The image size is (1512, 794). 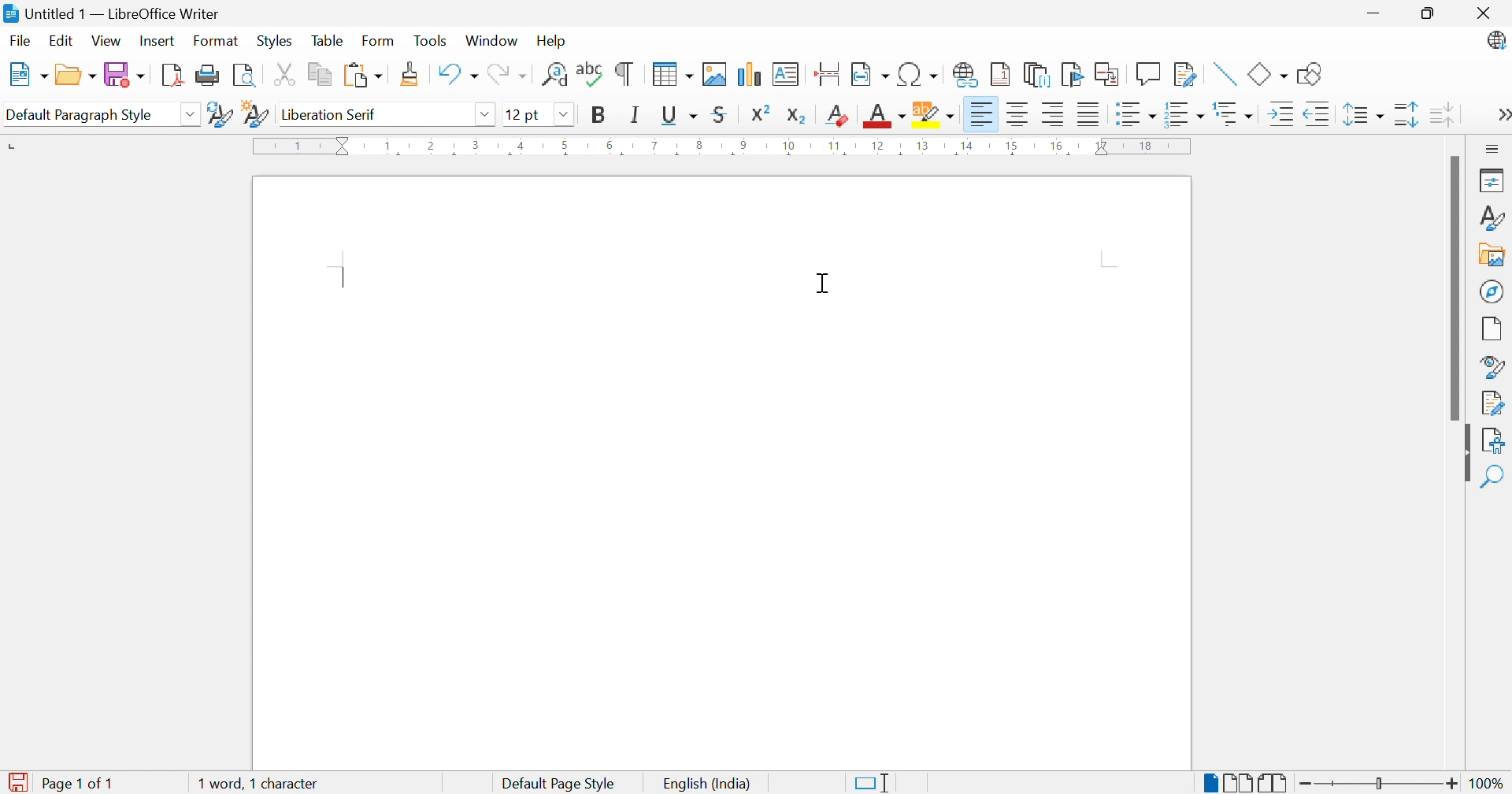 What do you see at coordinates (636, 117) in the screenshot?
I see `Italic` at bounding box center [636, 117].